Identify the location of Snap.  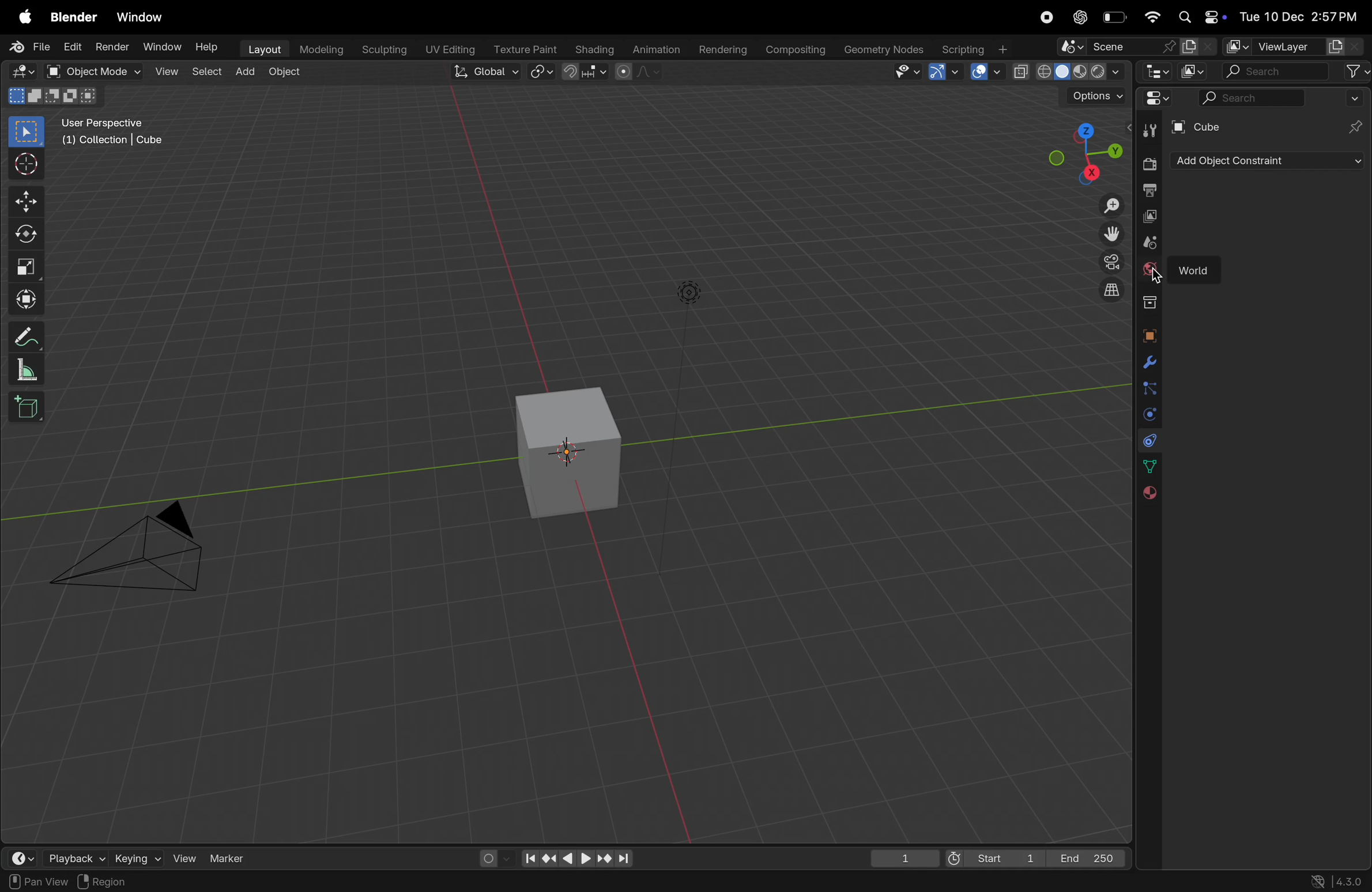
(587, 72).